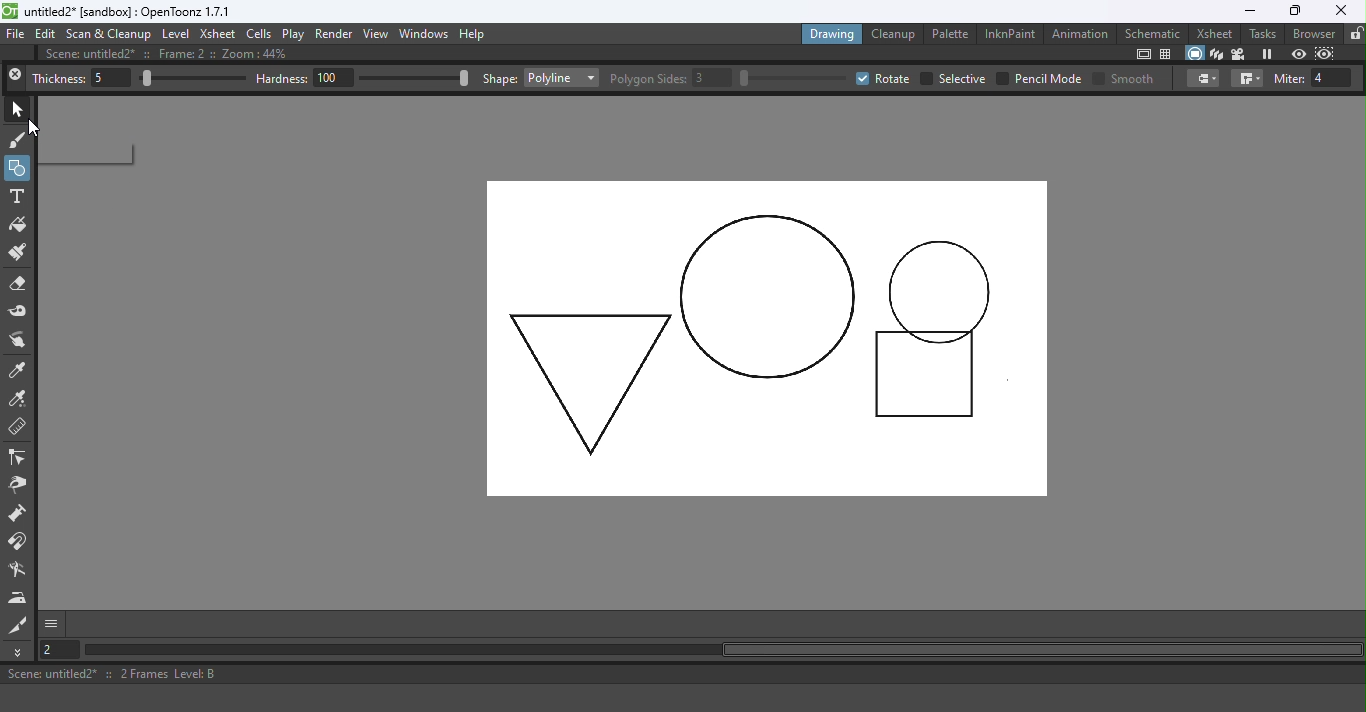 This screenshot has width=1366, height=712. I want to click on 3D view, so click(1217, 54).